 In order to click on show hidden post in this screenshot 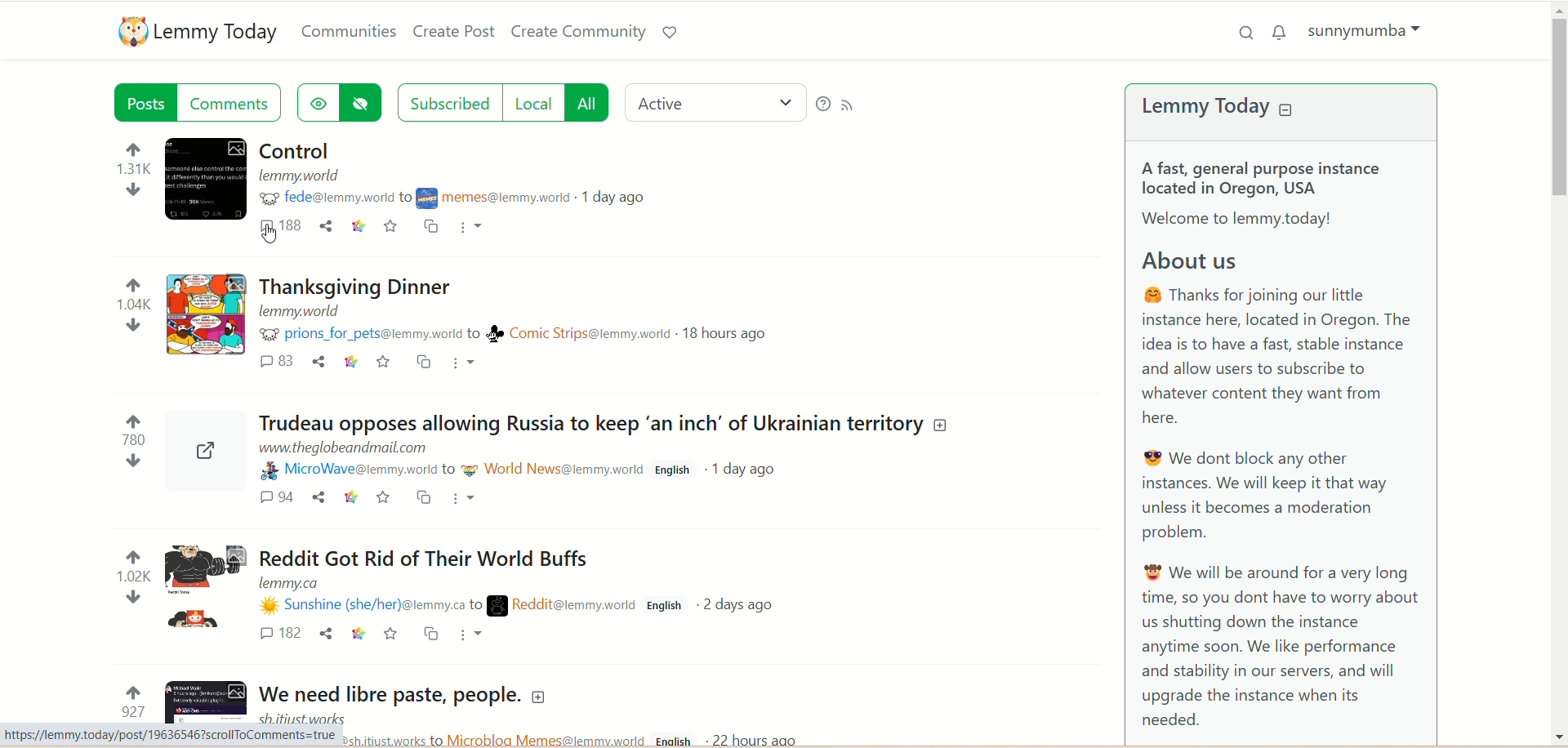, I will do `click(320, 101)`.